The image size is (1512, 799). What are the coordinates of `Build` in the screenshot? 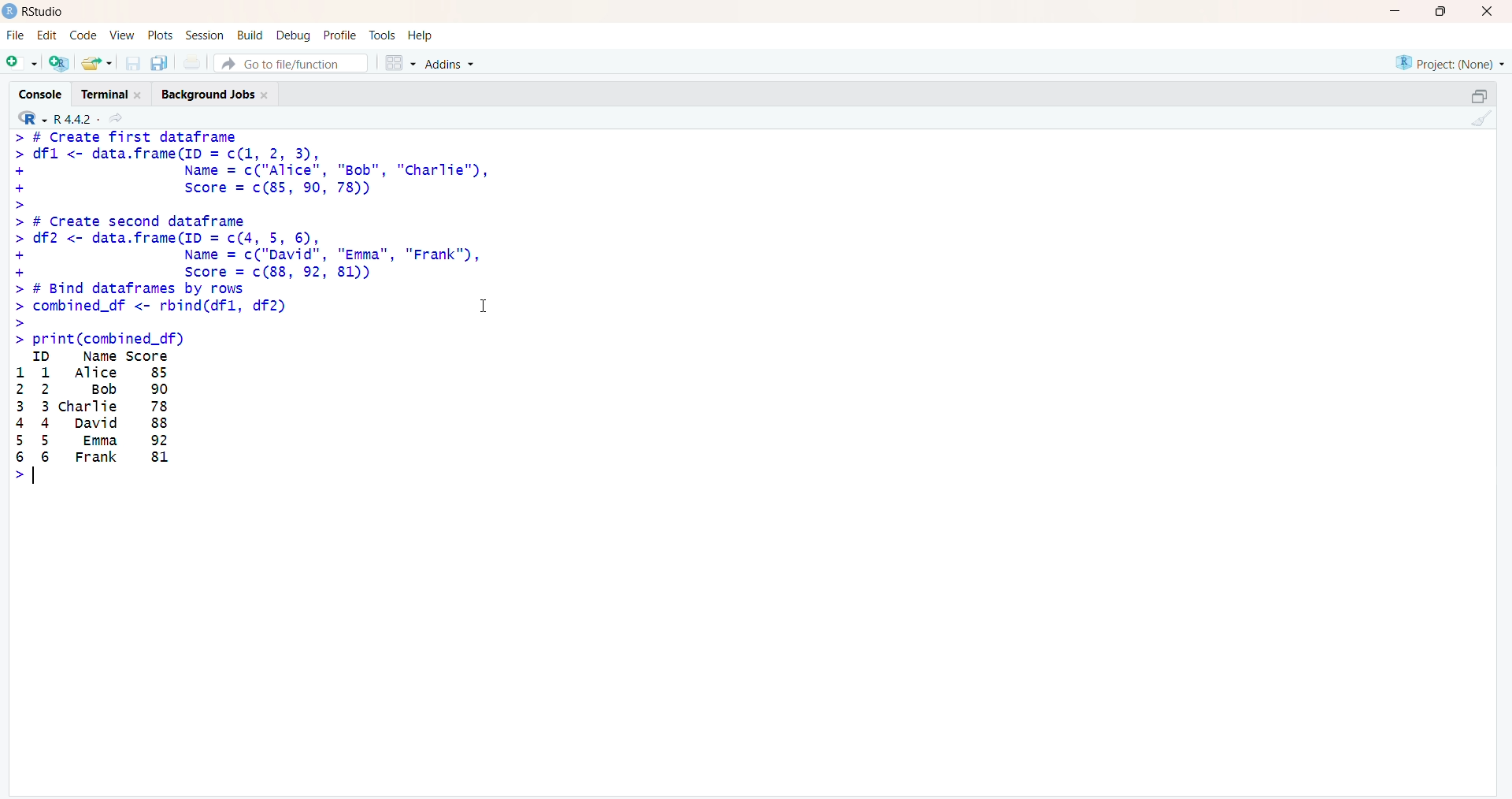 It's located at (250, 35).